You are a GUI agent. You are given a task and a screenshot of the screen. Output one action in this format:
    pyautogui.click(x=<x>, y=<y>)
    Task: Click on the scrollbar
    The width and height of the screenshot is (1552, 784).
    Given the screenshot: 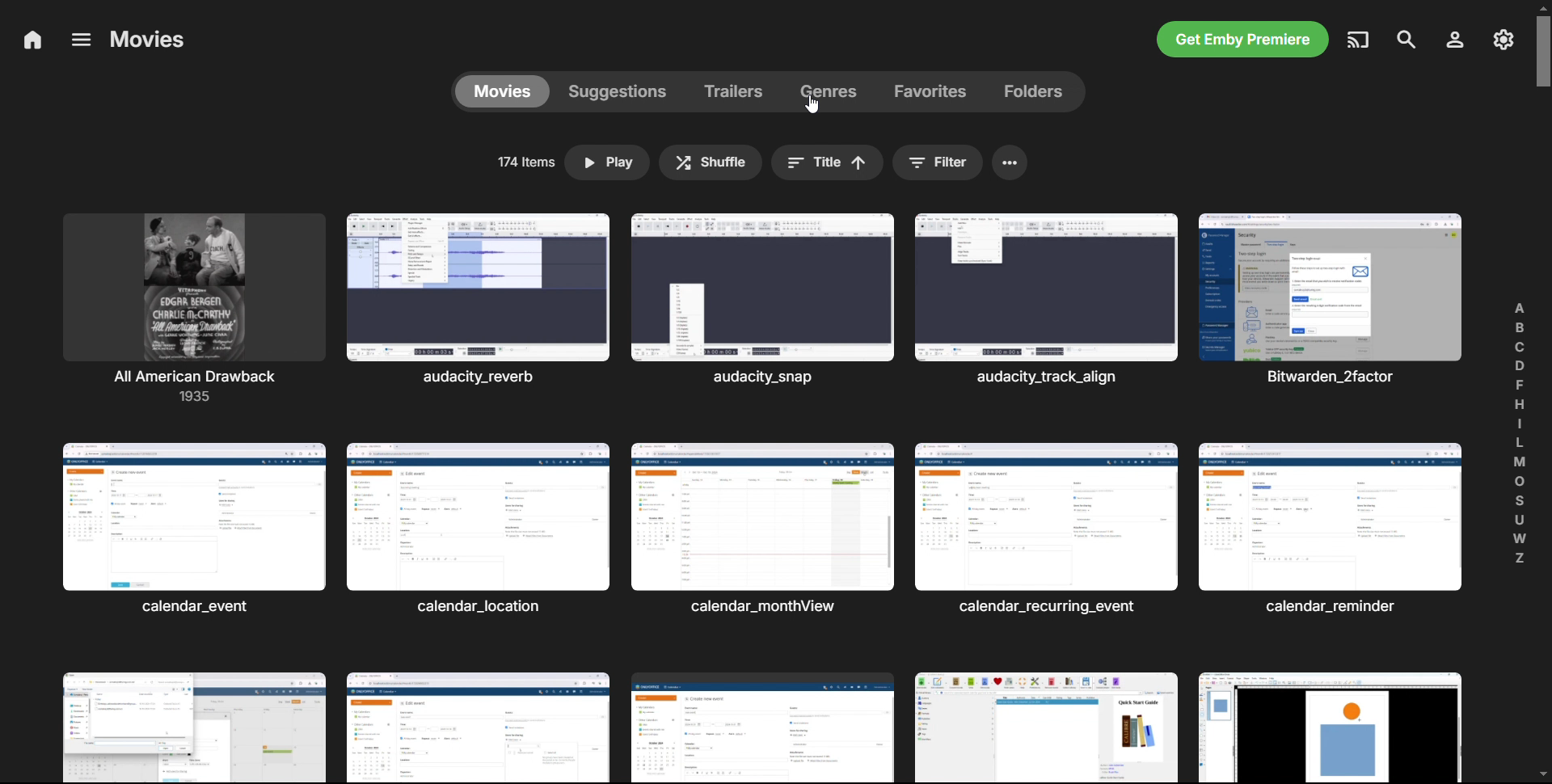 What is the action you would take?
    pyautogui.click(x=1544, y=393)
    